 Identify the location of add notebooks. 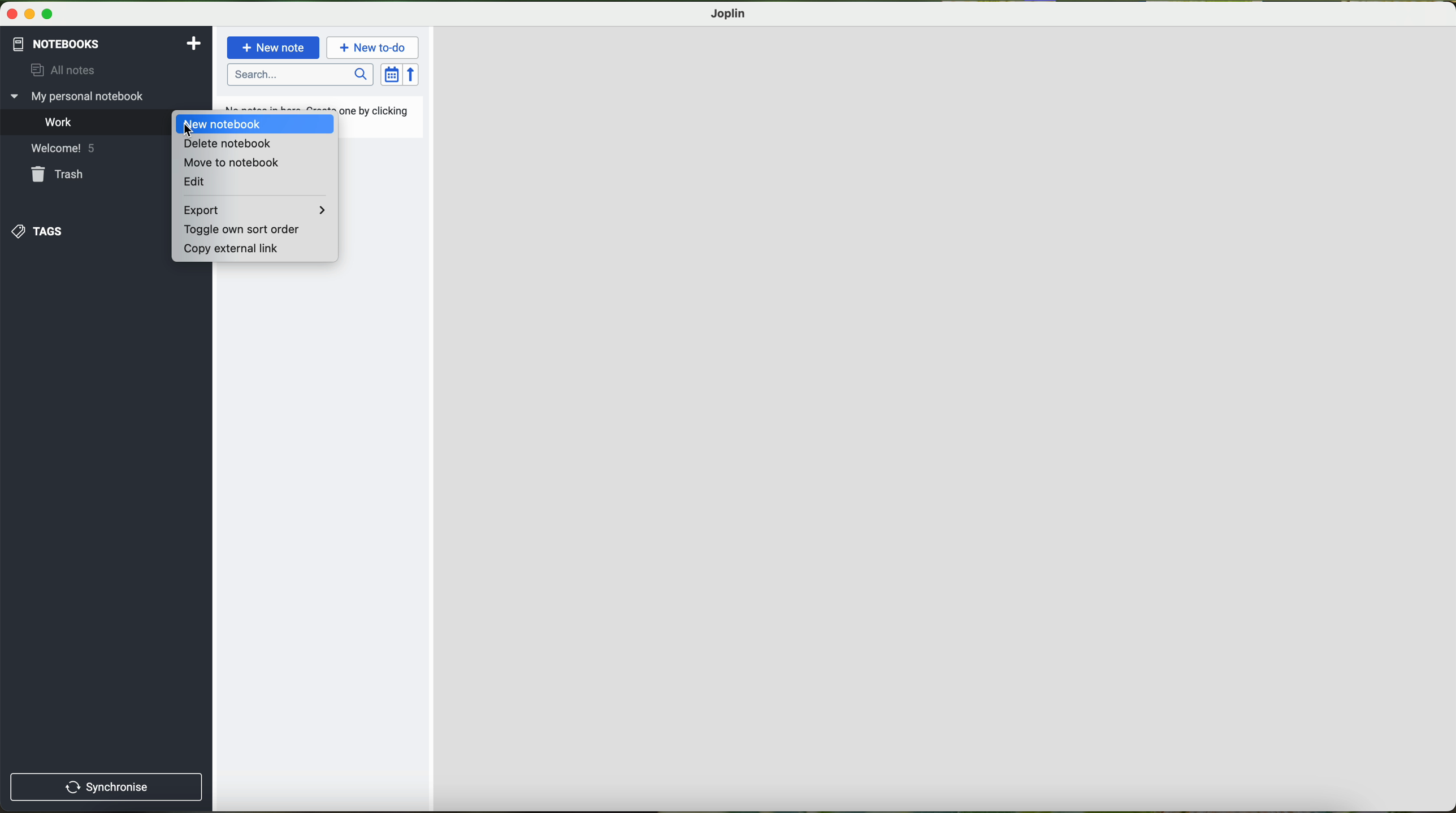
(192, 42).